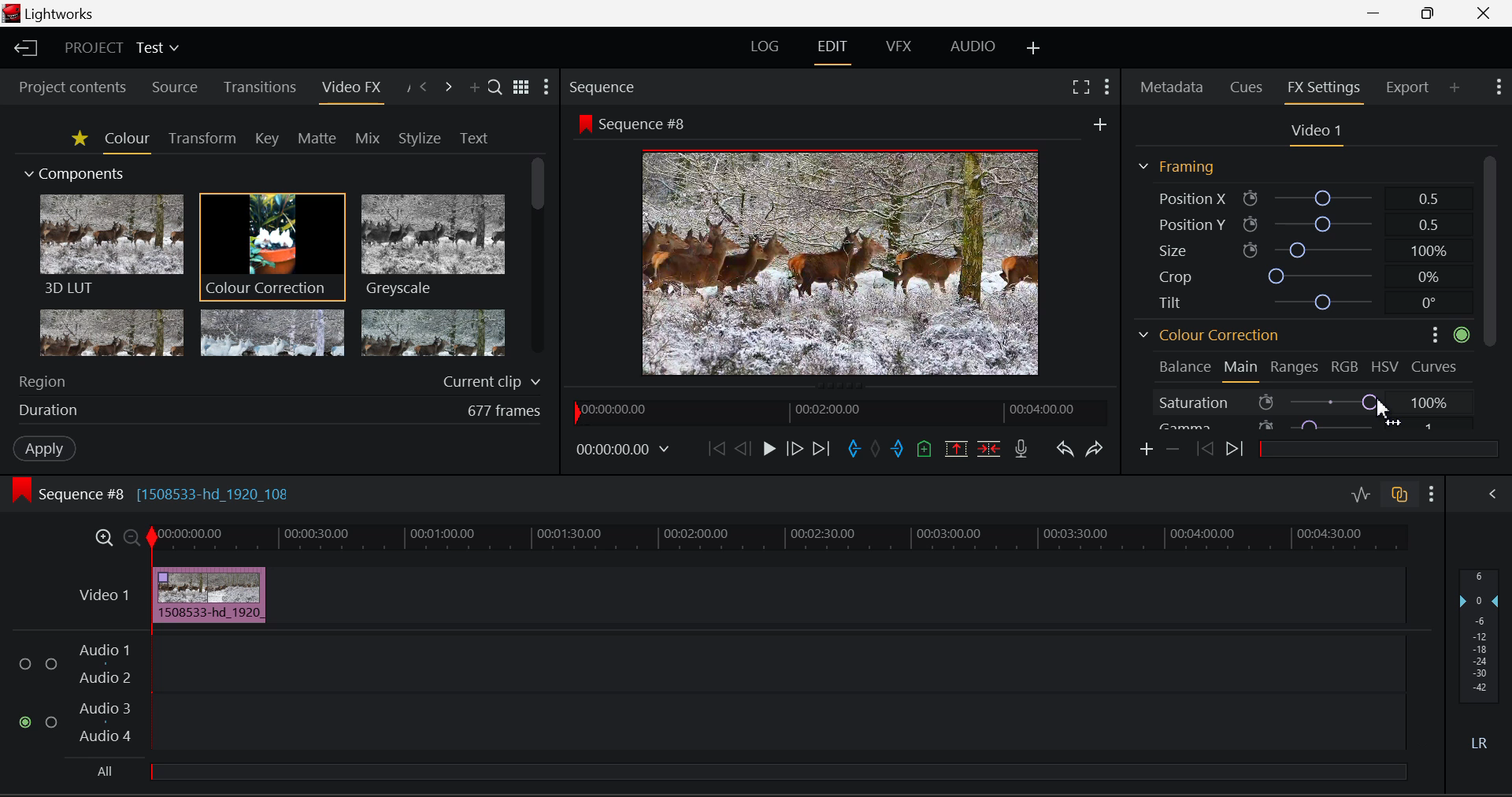 Image resolution: width=1512 pixels, height=797 pixels. Describe the element at coordinates (875, 449) in the screenshot. I see `Remove all marks` at that location.